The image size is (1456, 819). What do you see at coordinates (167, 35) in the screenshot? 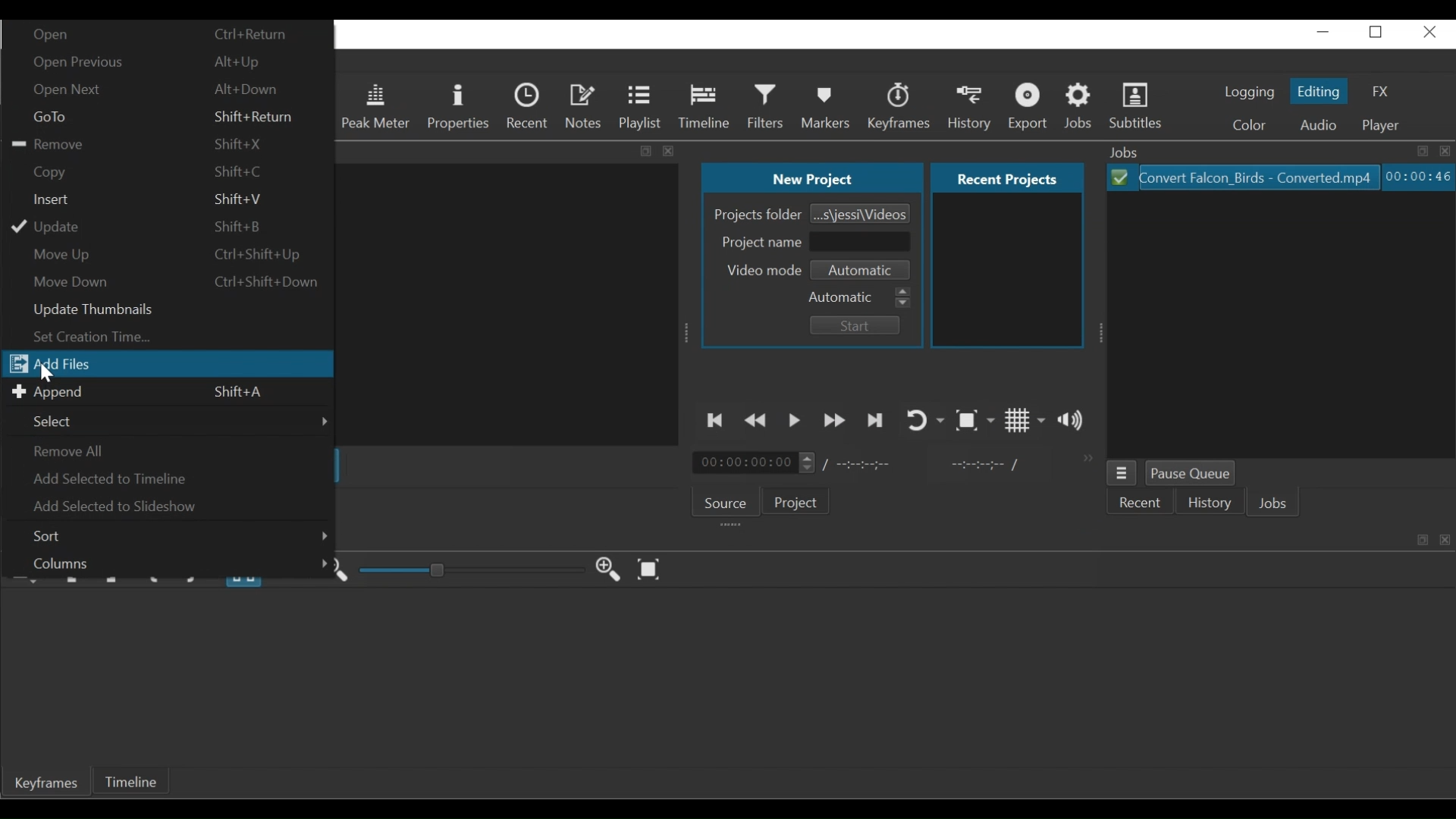
I see `Open` at bounding box center [167, 35].